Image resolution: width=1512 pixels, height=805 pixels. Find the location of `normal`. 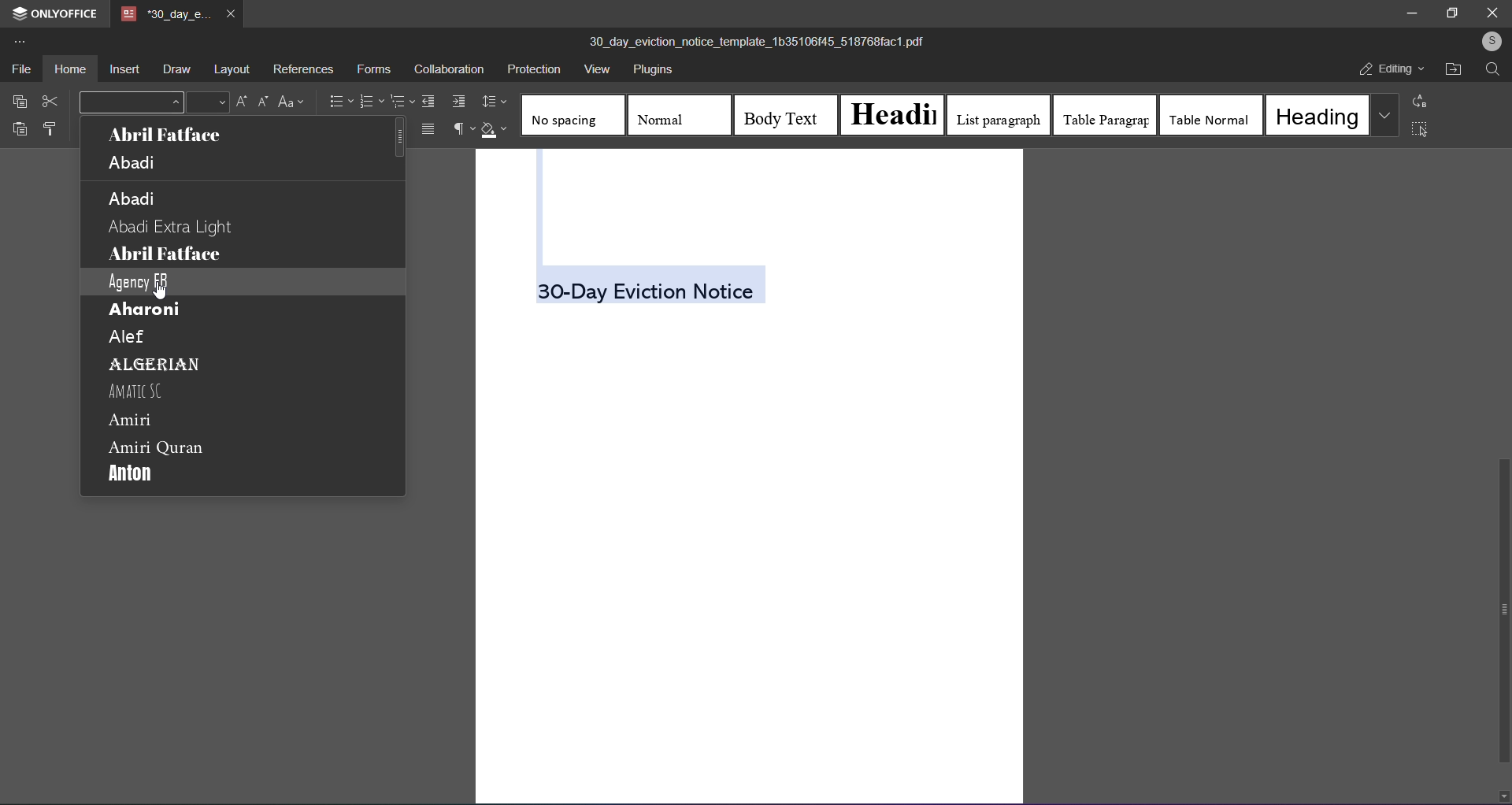

normal is located at coordinates (671, 114).